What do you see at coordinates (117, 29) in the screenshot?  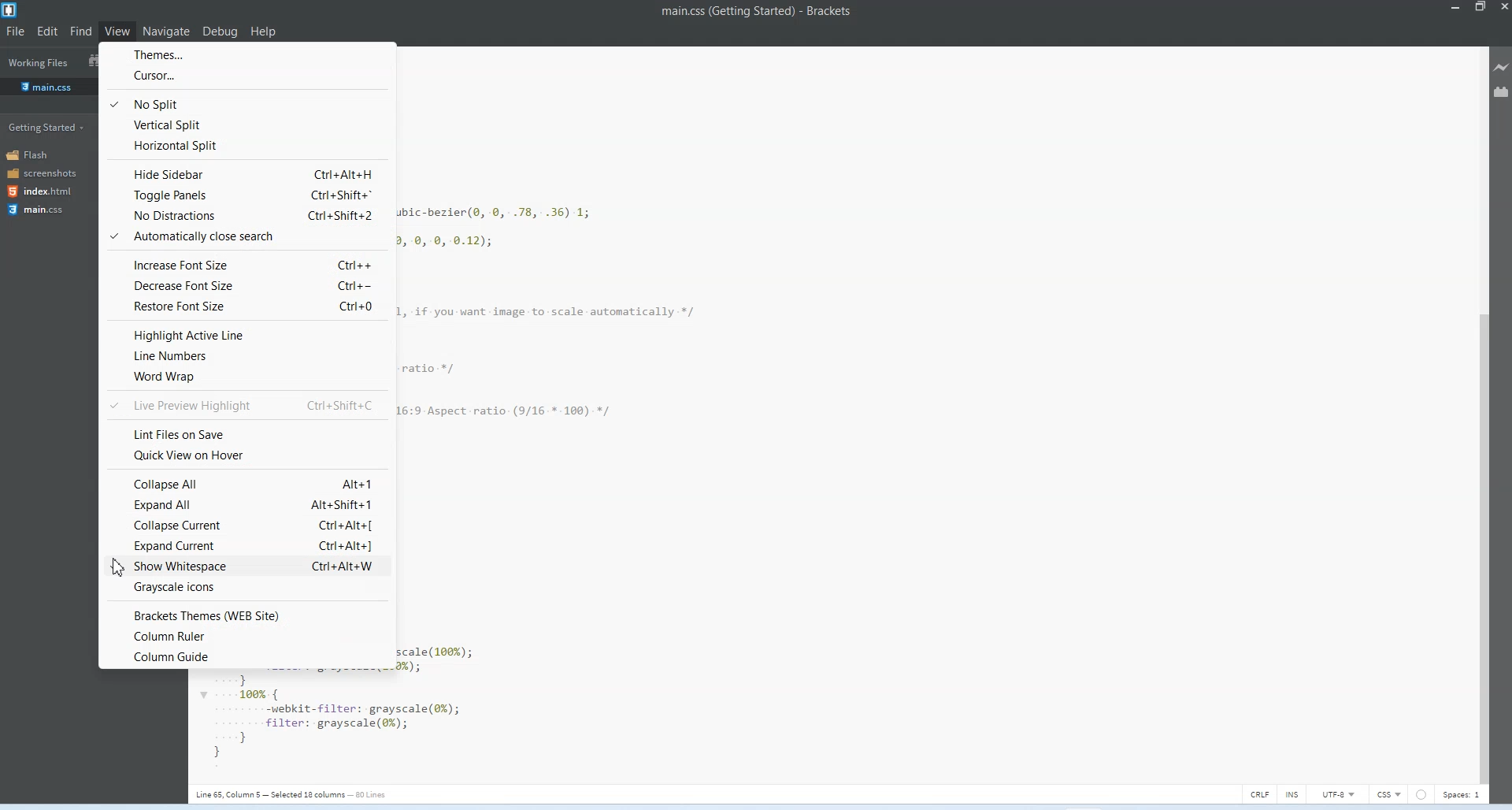 I see `View` at bounding box center [117, 29].